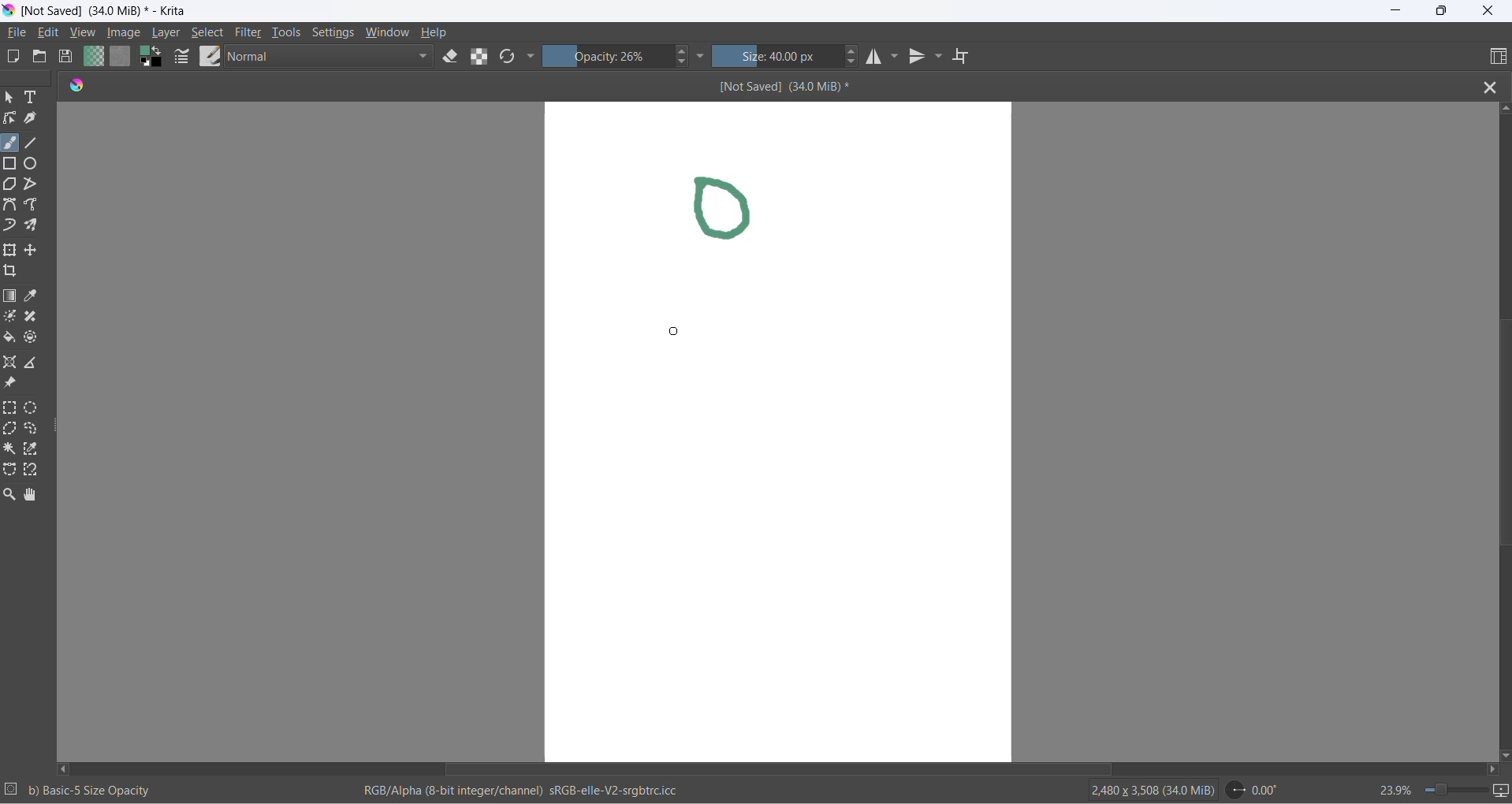 The image size is (1512, 804). I want to click on scroll left button, so click(69, 765).